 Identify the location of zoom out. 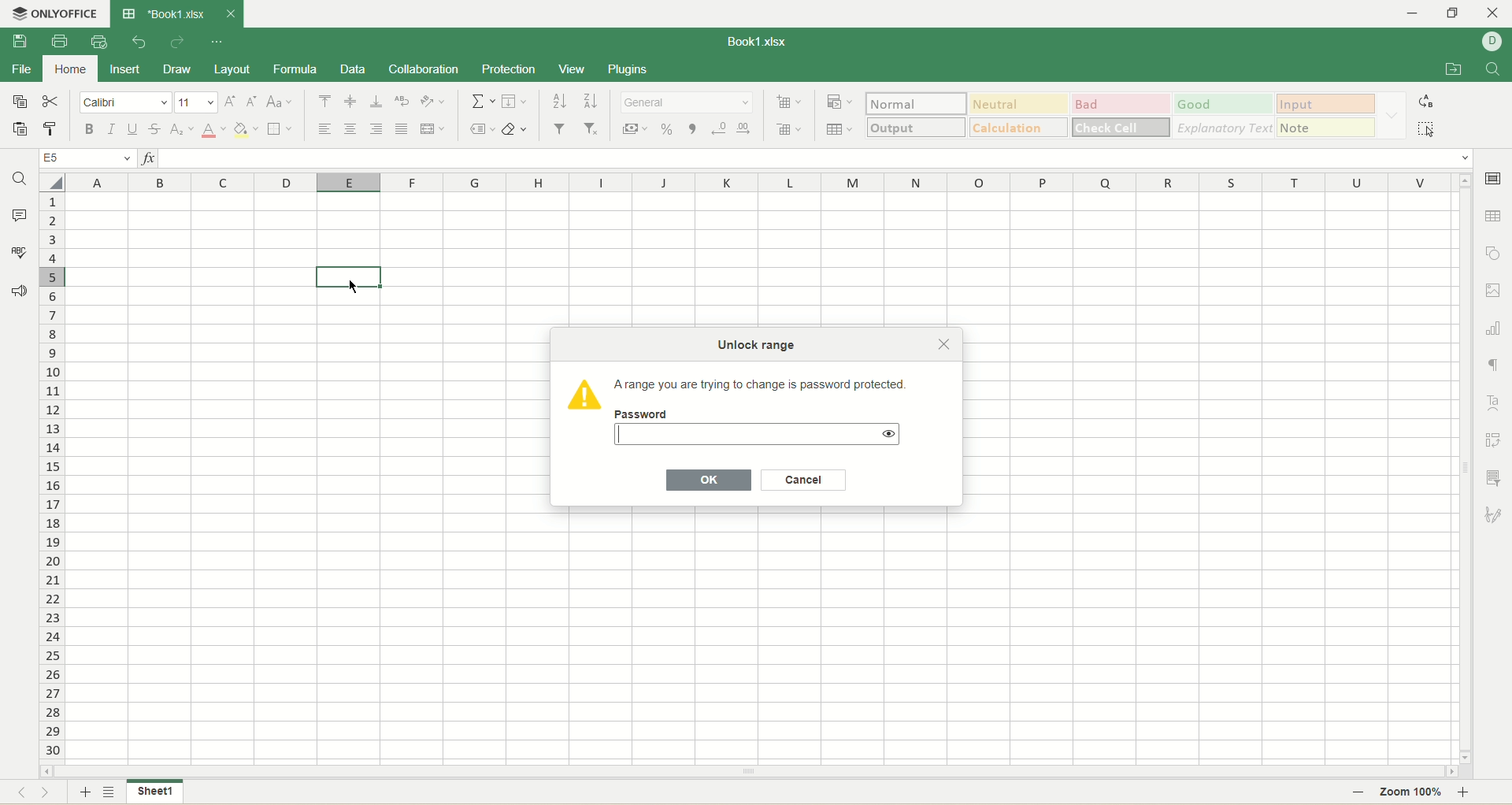
(1359, 793).